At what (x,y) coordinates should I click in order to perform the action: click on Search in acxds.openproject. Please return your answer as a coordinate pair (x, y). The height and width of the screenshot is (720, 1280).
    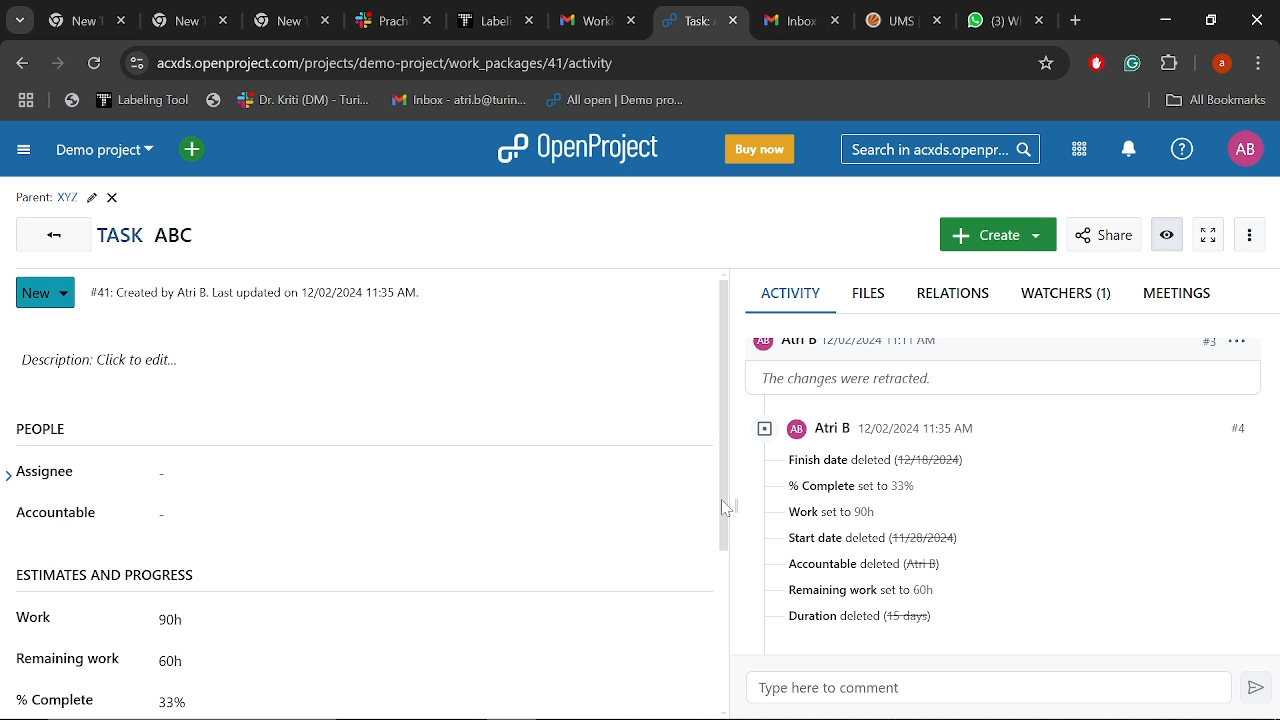
    Looking at the image, I should click on (940, 149).